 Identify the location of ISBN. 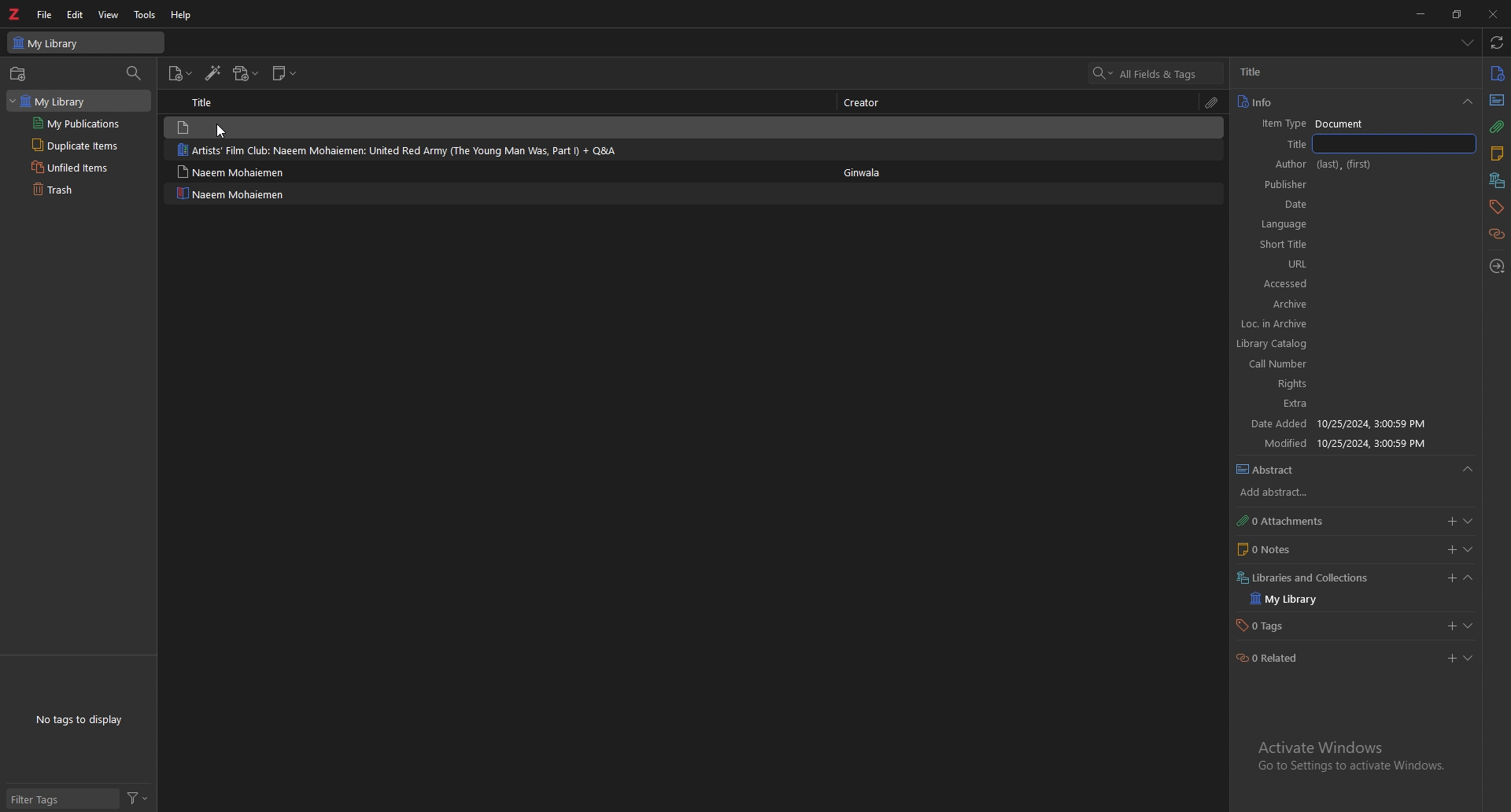
(1278, 383).